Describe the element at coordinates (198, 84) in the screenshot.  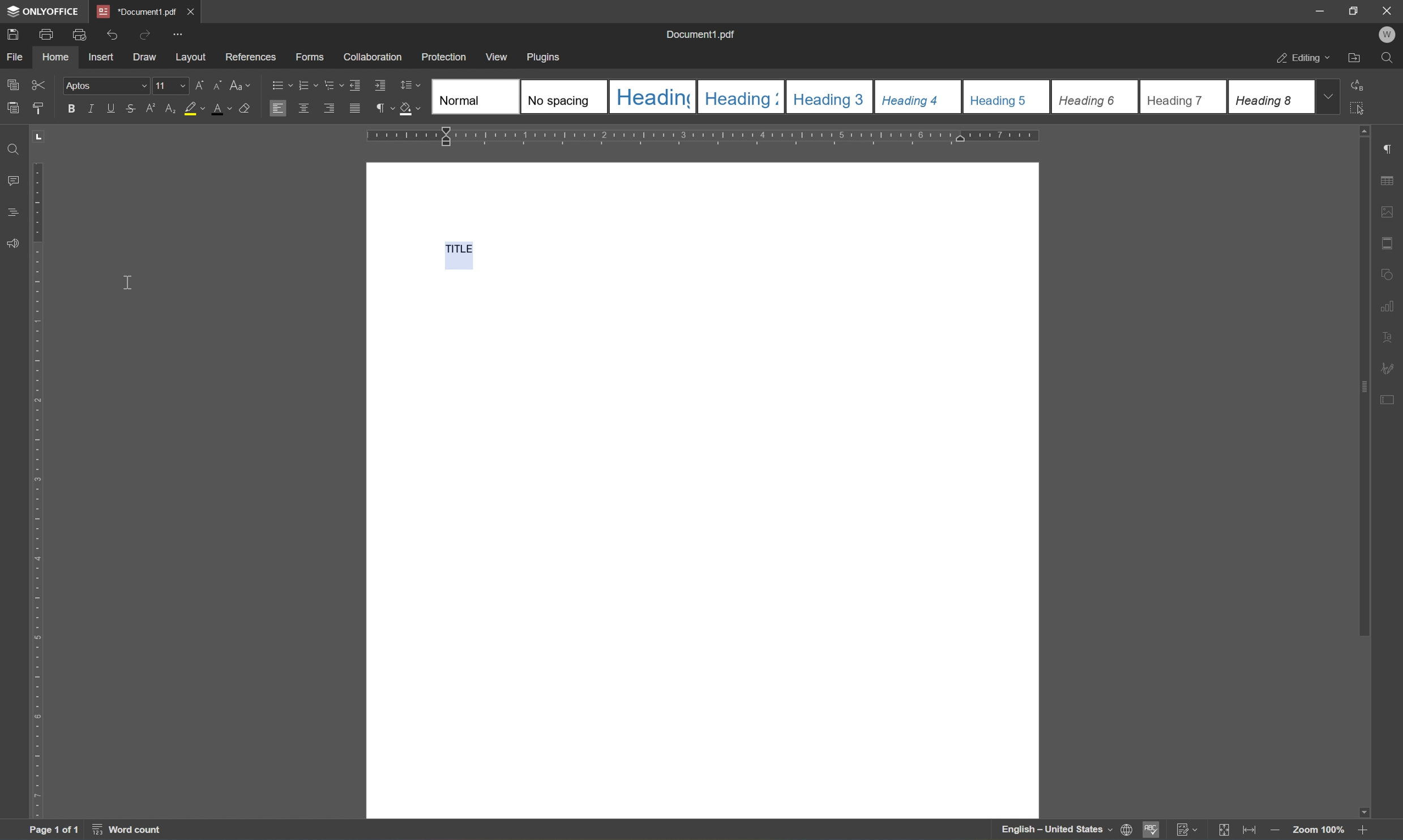
I see `Increment font size` at that location.